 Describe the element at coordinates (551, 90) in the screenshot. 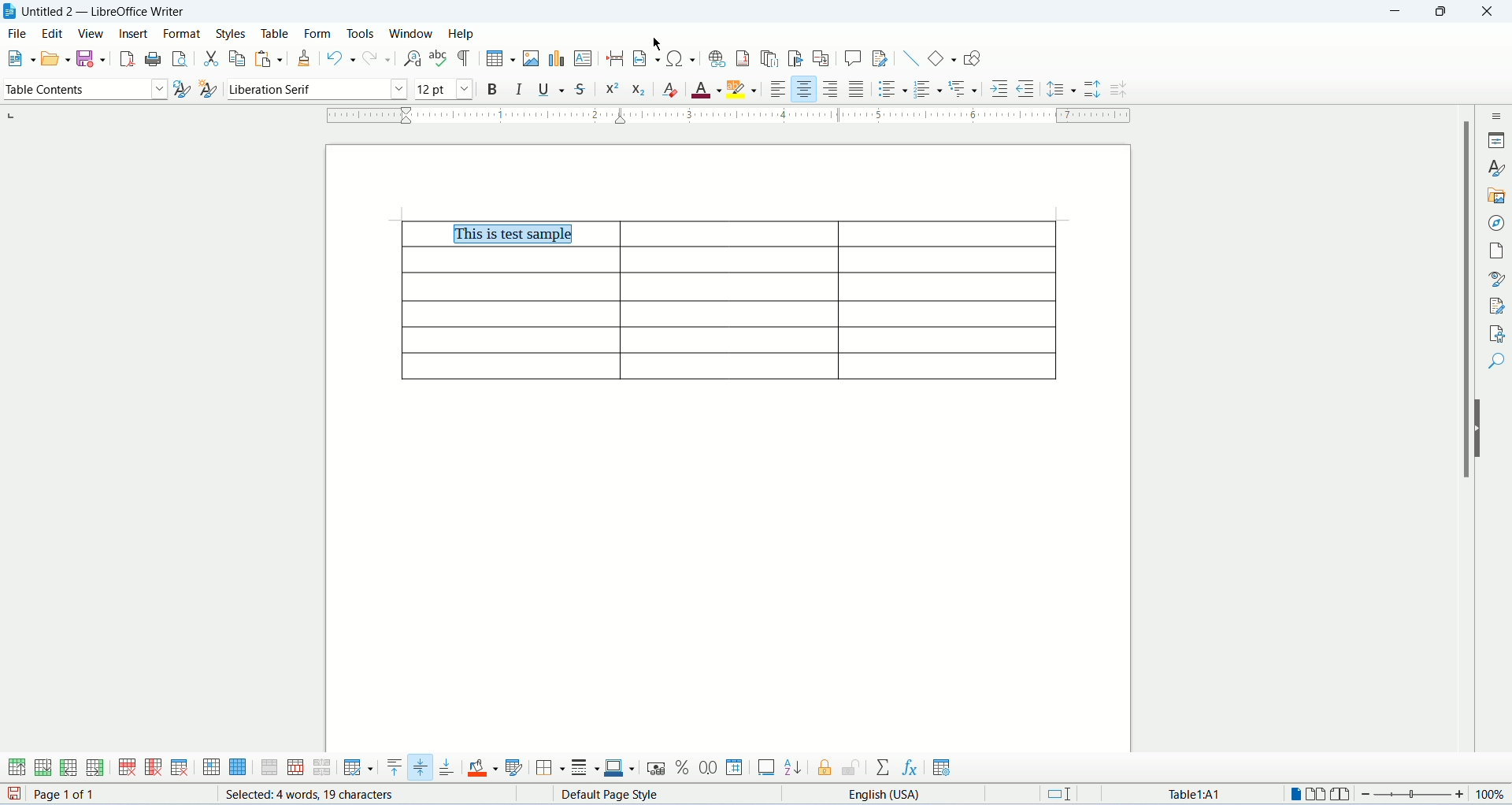

I see `underline` at that location.